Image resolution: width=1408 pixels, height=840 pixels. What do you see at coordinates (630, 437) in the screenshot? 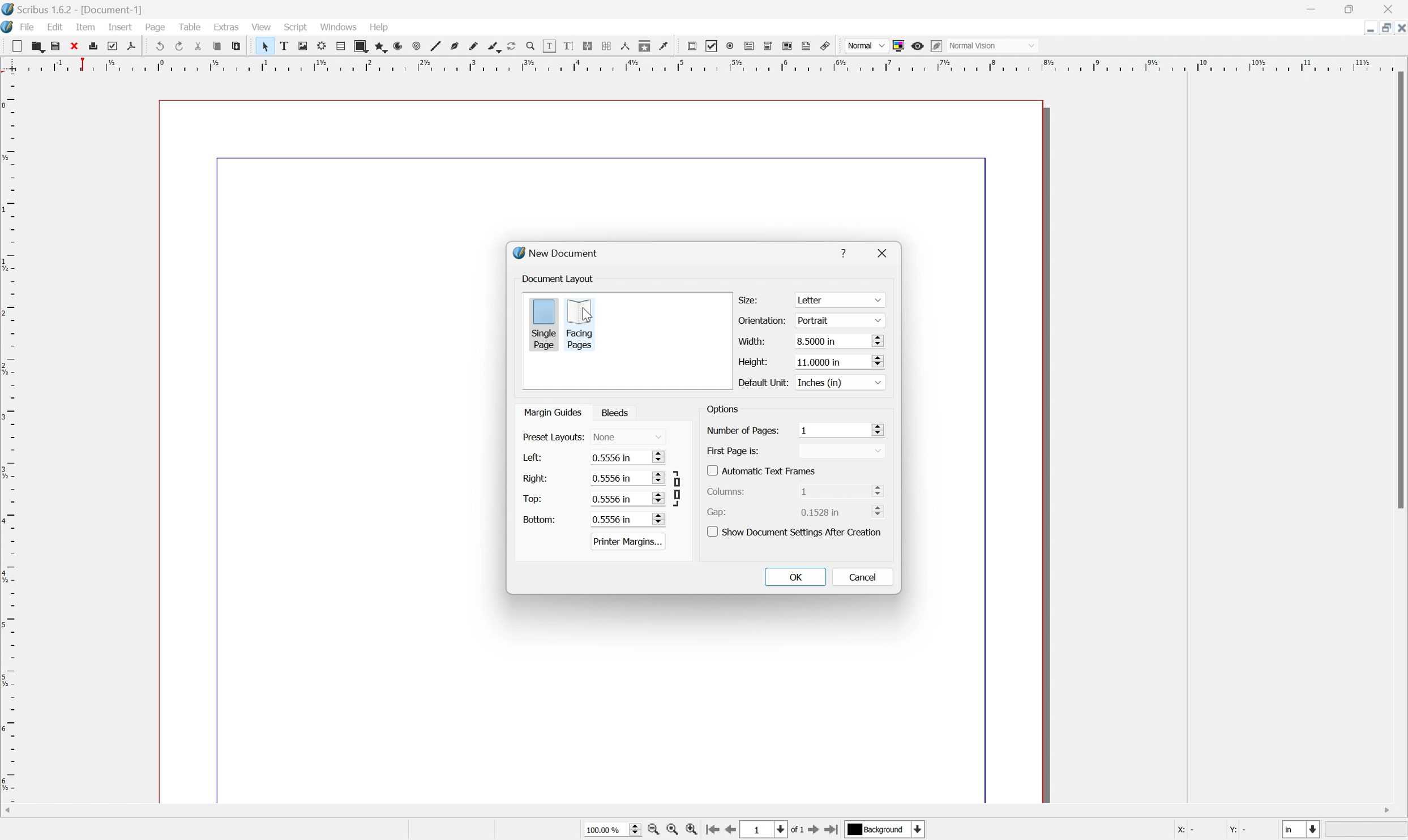
I see `none` at bounding box center [630, 437].